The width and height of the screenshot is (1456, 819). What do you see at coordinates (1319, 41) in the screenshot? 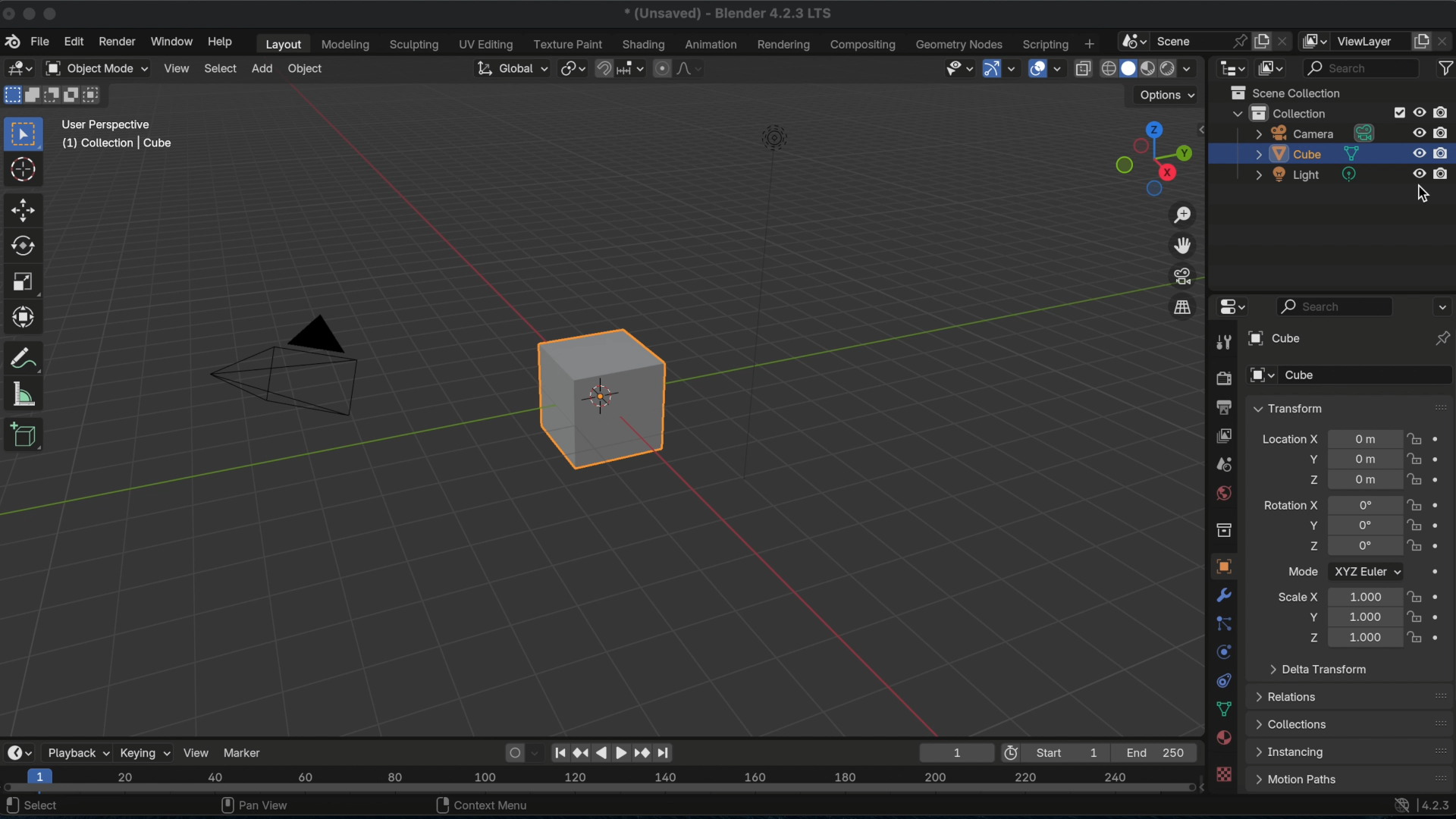
I see `active workspace` at bounding box center [1319, 41].